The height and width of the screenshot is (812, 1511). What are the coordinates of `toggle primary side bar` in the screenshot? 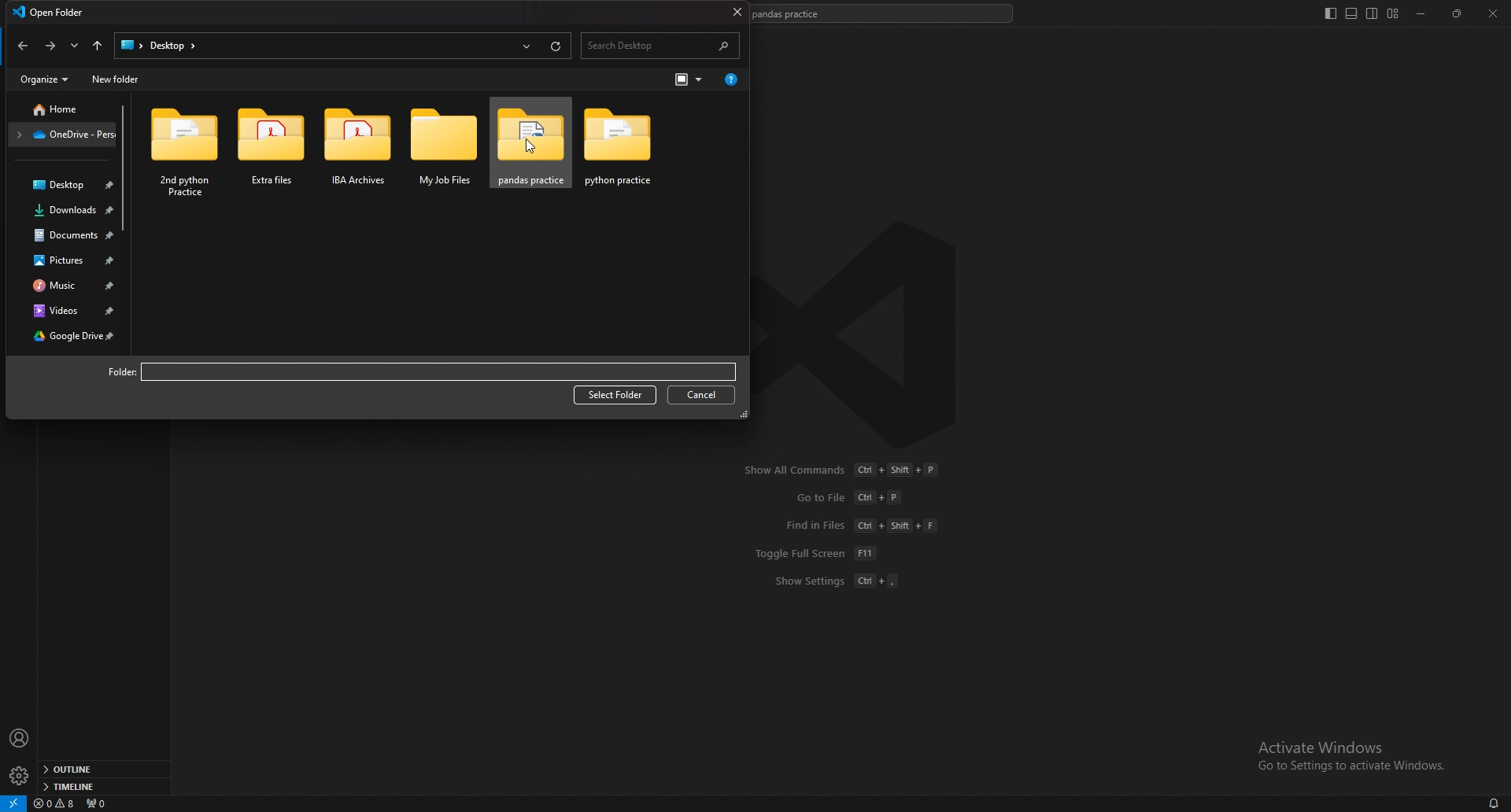 It's located at (1332, 13).